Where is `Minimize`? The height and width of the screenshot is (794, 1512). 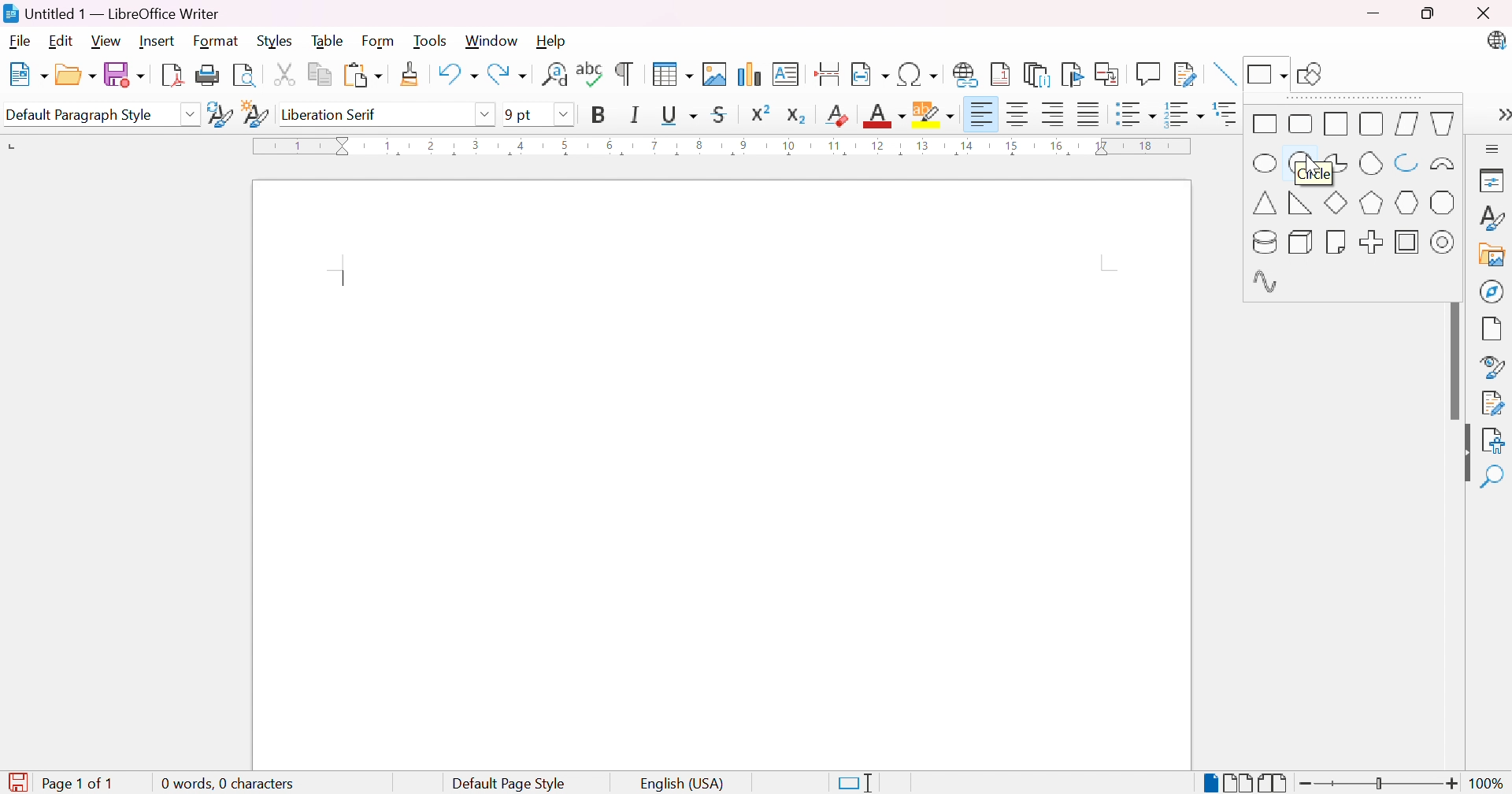
Minimize is located at coordinates (1374, 15).